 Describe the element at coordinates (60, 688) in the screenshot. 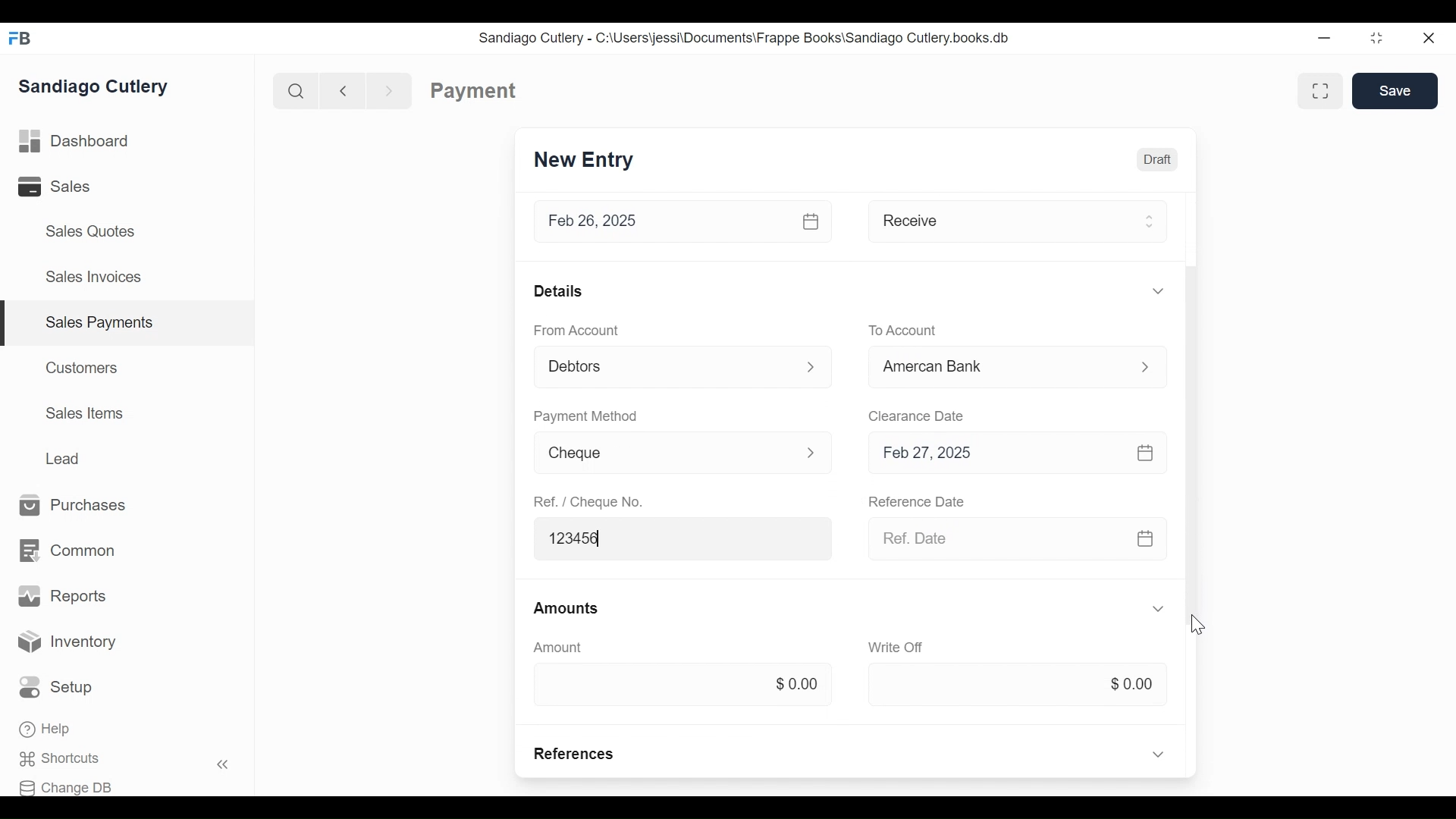

I see `Setup` at that location.